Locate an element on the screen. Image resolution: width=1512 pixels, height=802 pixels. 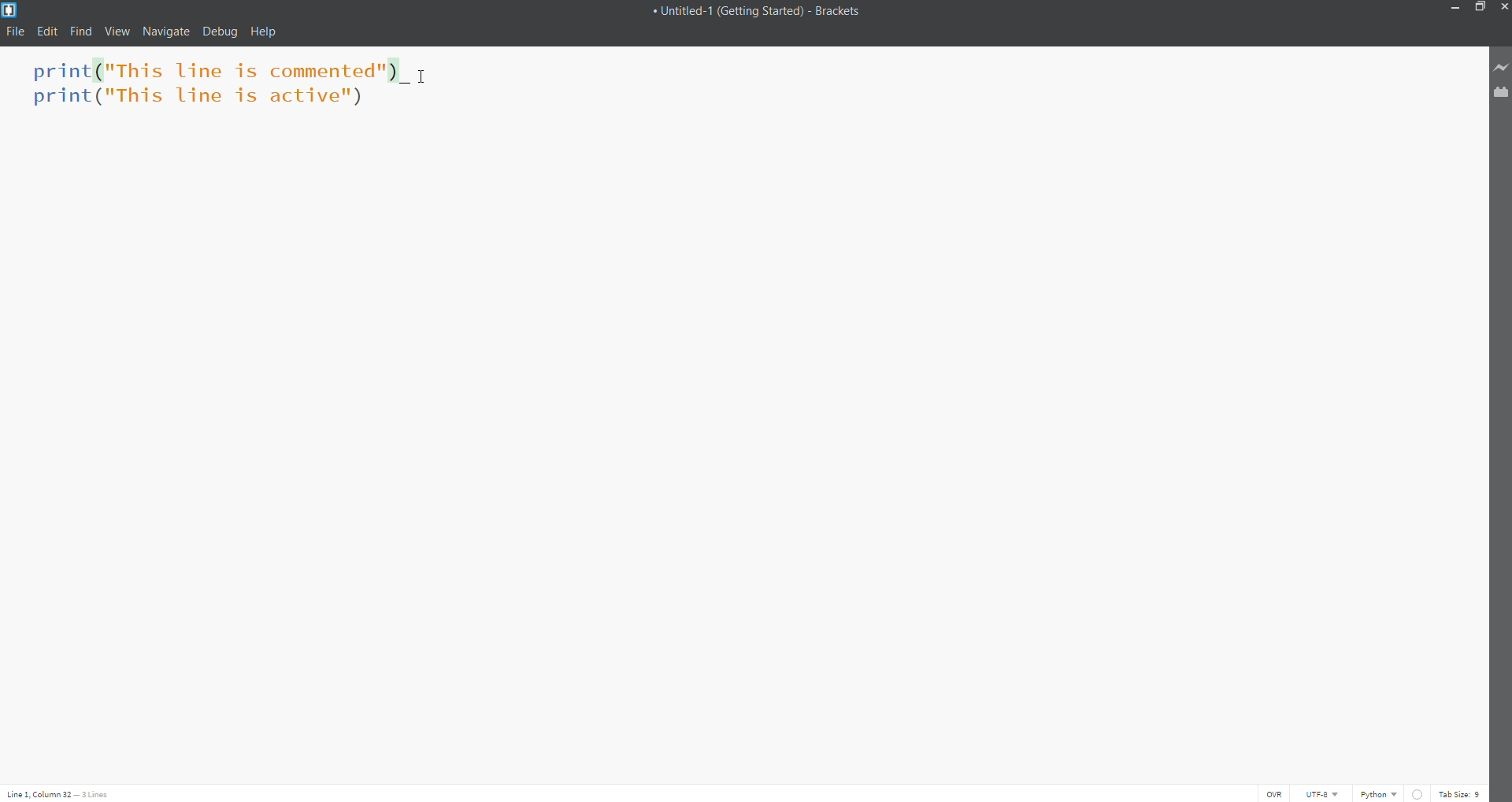
OVR is located at coordinates (1276, 793).